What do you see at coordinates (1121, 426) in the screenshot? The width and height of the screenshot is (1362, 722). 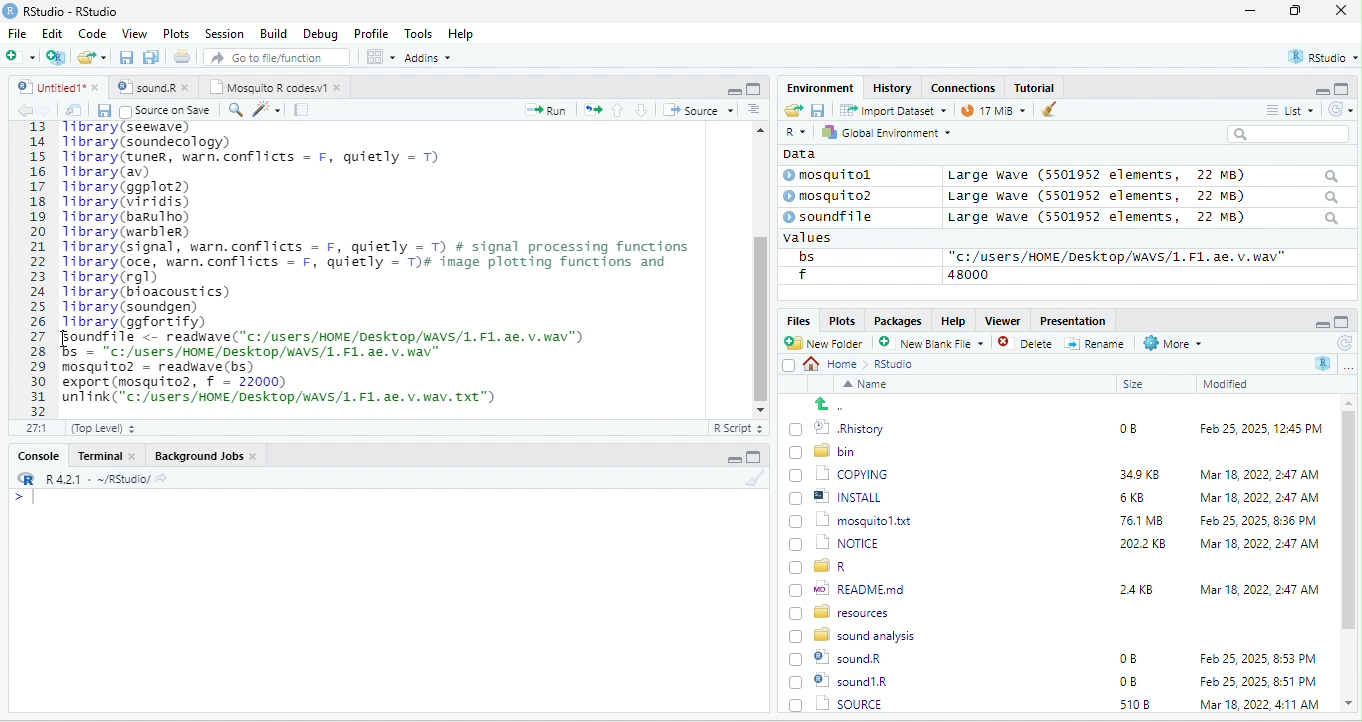 I see `0B` at bounding box center [1121, 426].